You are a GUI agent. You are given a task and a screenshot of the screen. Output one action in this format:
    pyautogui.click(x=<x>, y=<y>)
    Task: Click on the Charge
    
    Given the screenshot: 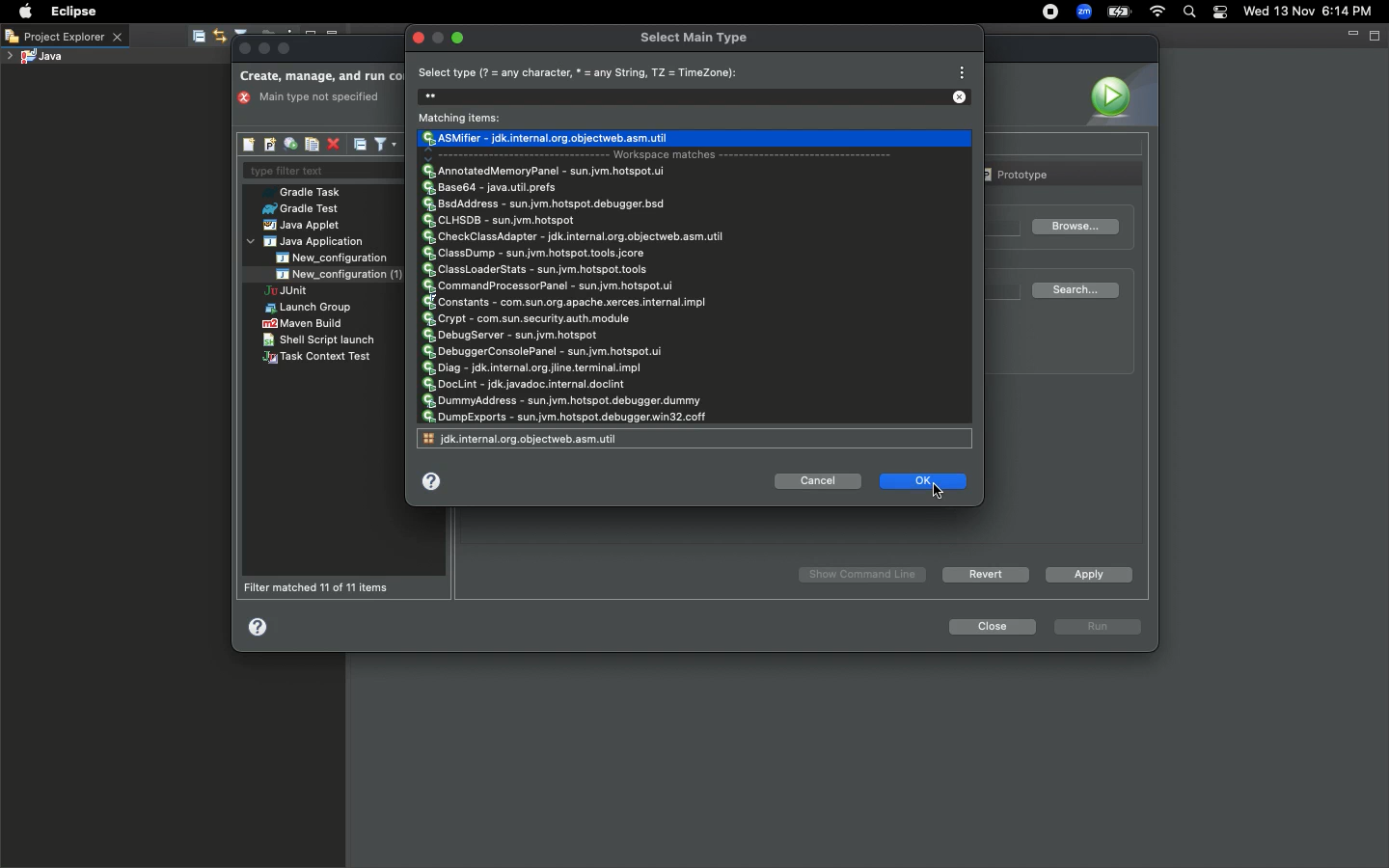 What is the action you would take?
    pyautogui.click(x=1119, y=14)
    